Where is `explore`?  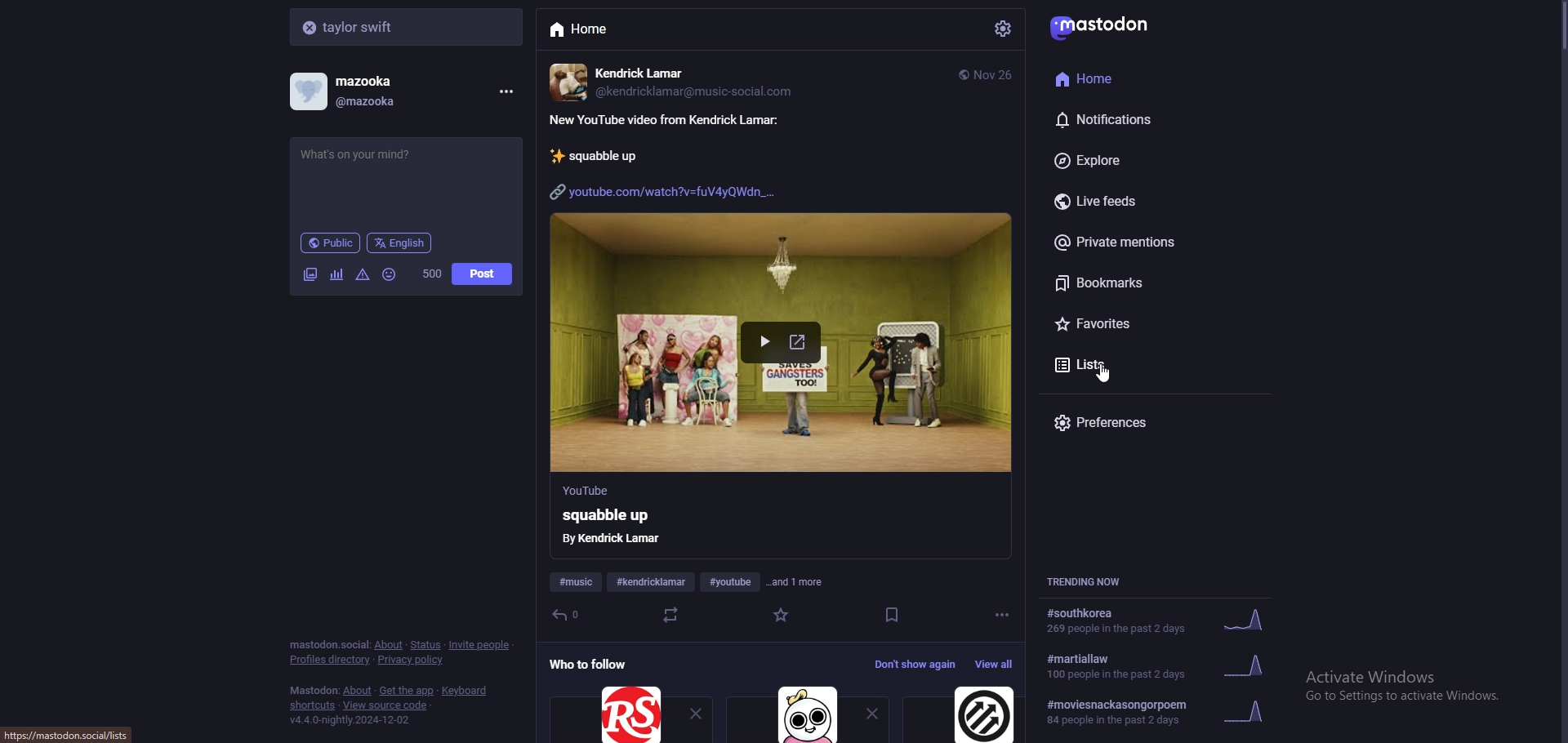
explore is located at coordinates (1150, 162).